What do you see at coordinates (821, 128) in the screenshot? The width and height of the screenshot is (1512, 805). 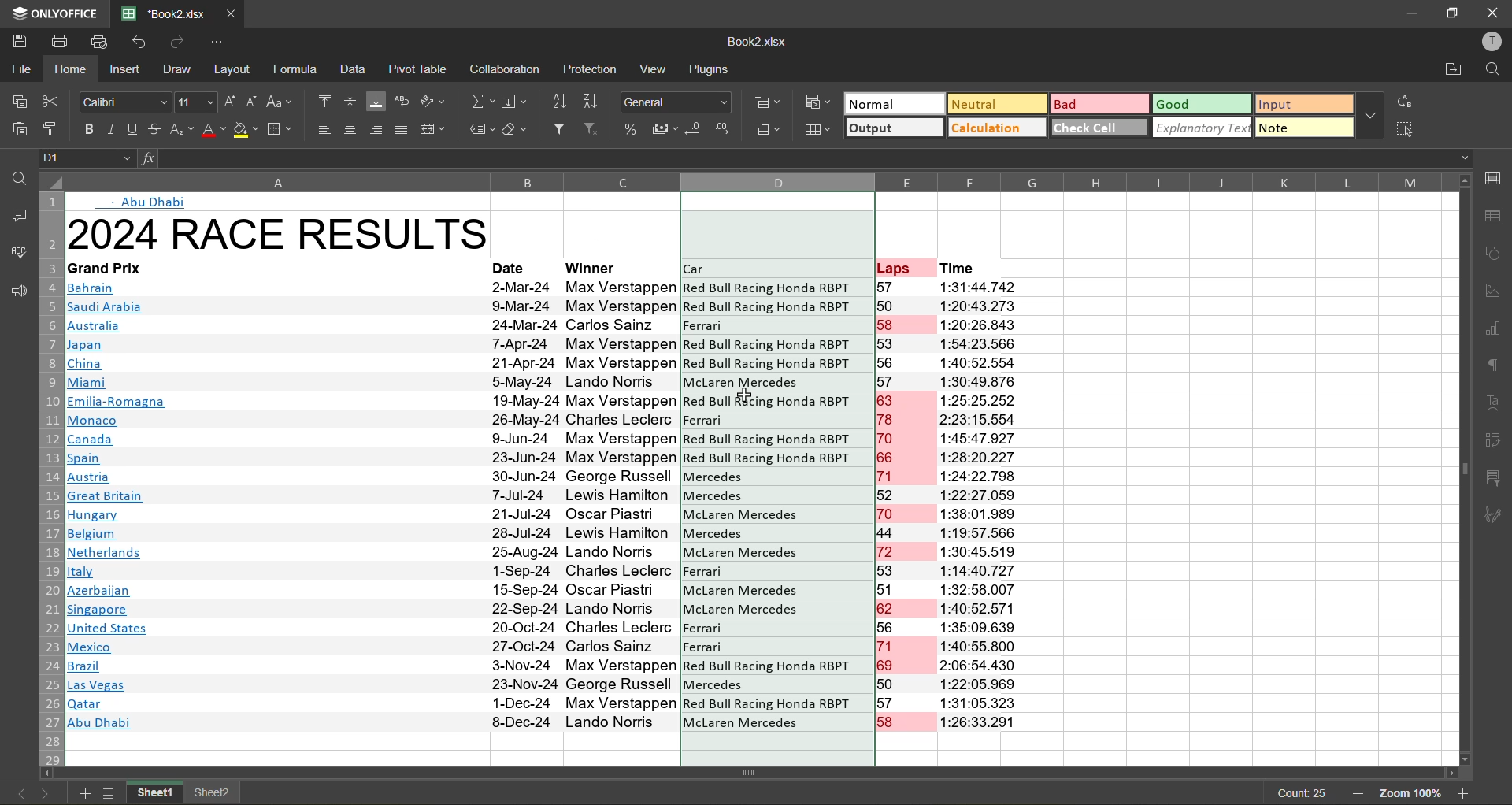 I see `format as table` at bounding box center [821, 128].